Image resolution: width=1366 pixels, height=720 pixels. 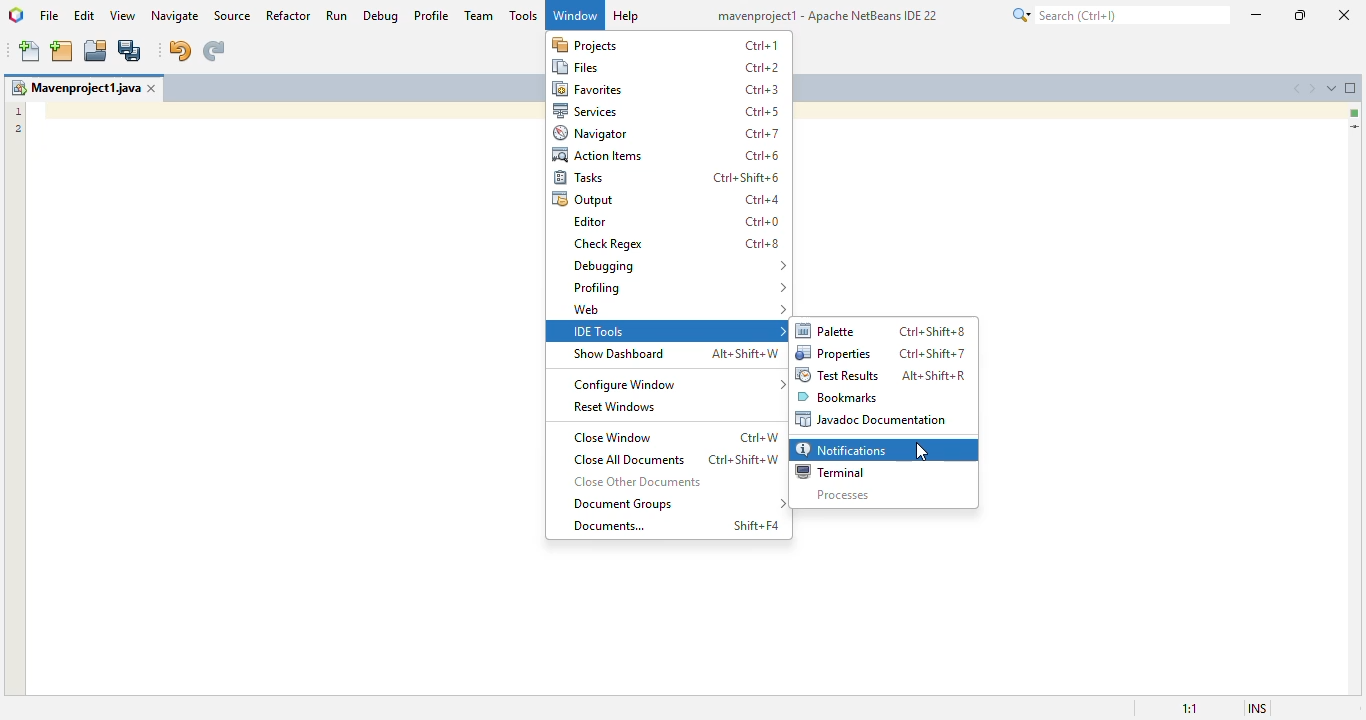 I want to click on favorites, so click(x=587, y=88).